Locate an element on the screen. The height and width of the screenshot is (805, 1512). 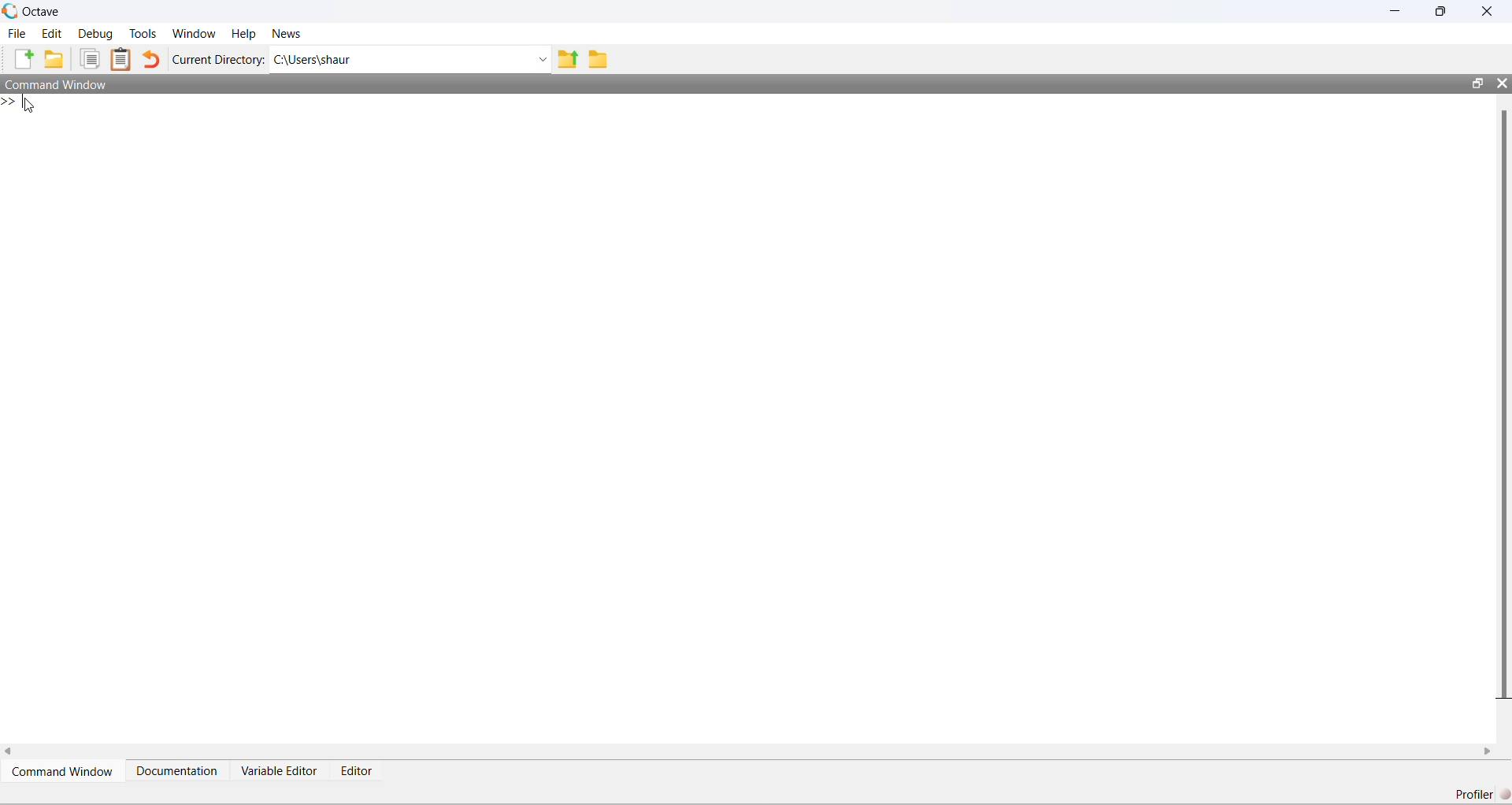
Undo is located at coordinates (152, 59).